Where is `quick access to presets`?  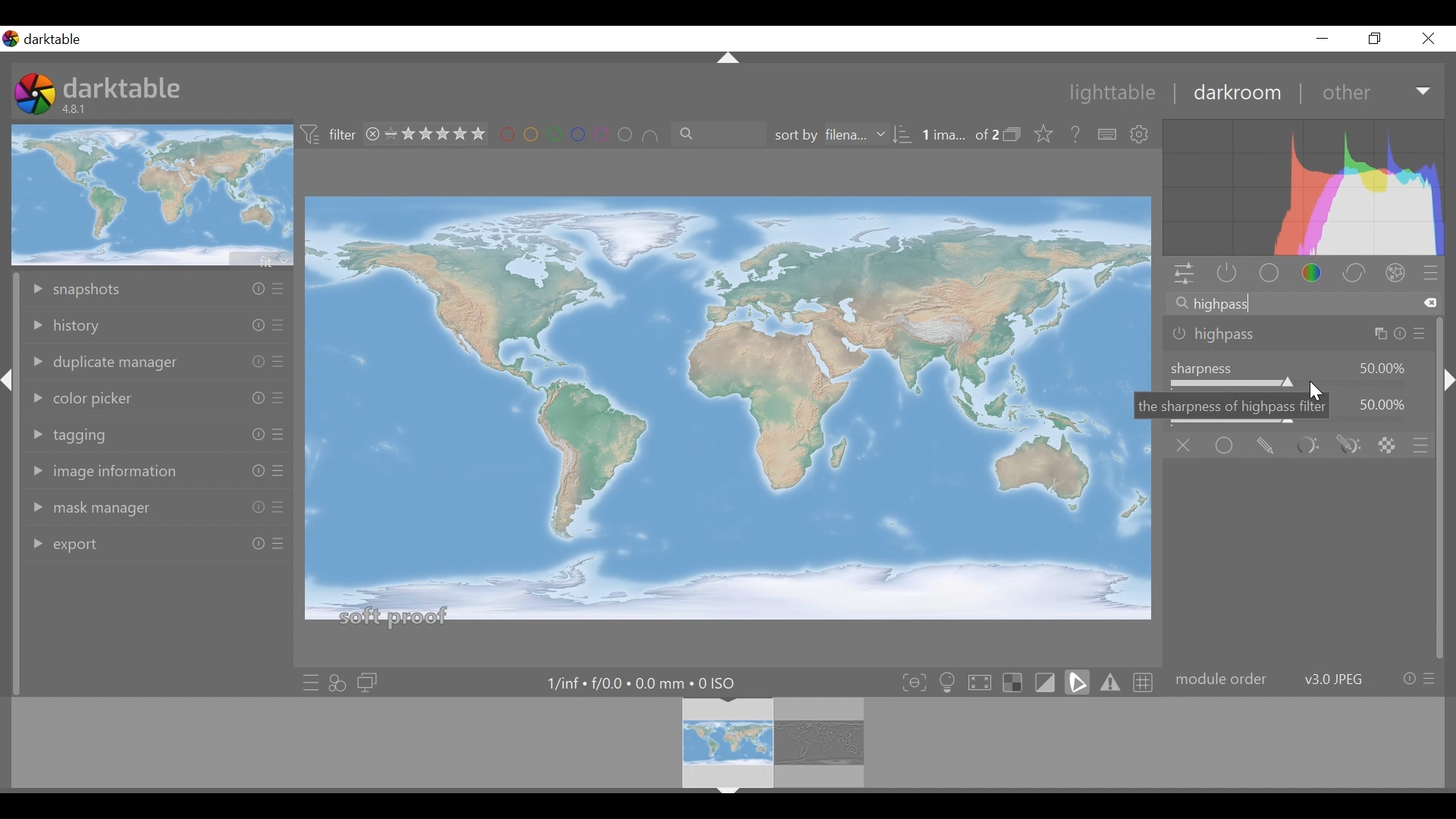
quick access to presets is located at coordinates (307, 683).